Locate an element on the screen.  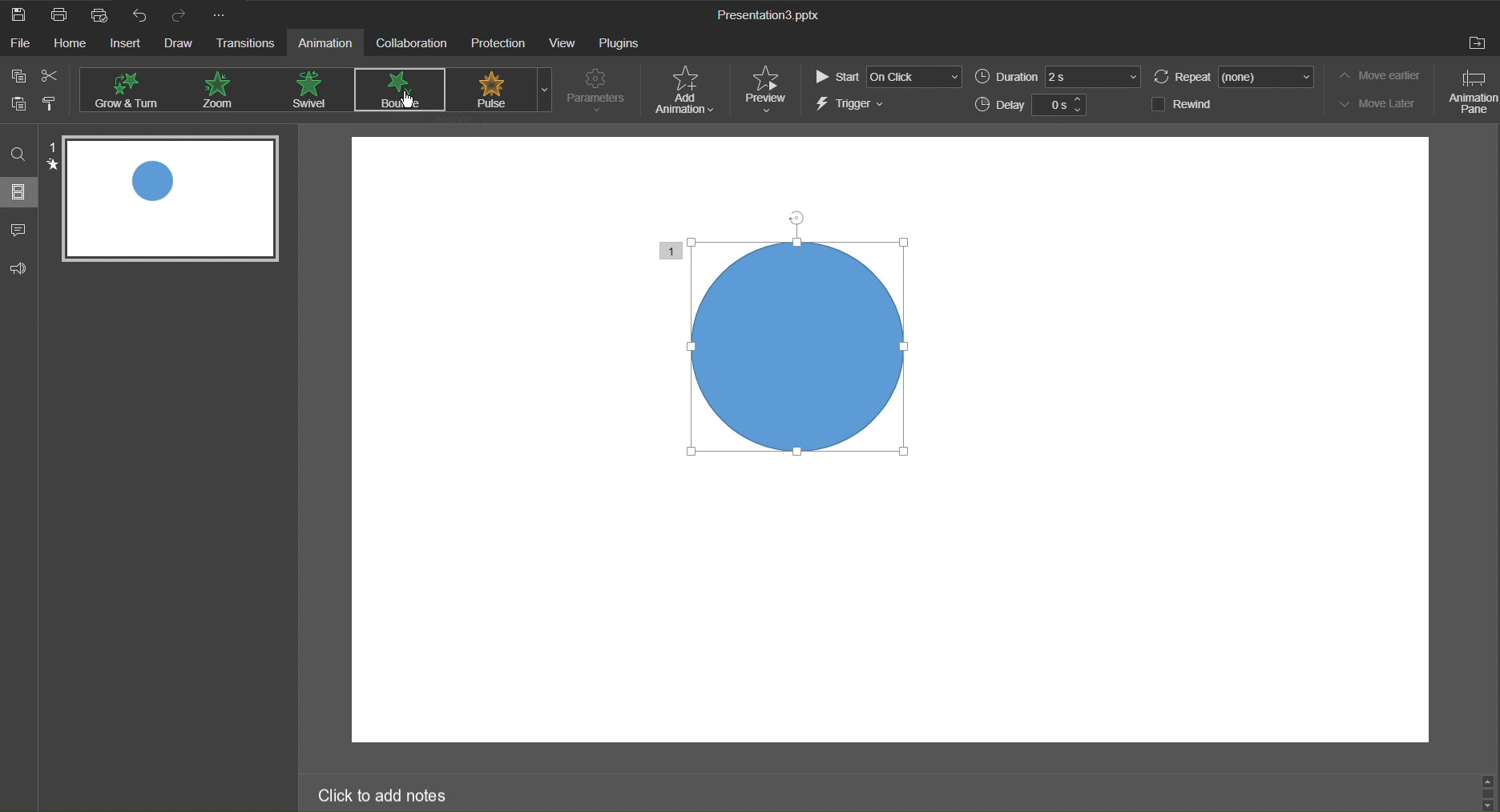
more Animations is located at coordinates (544, 90).